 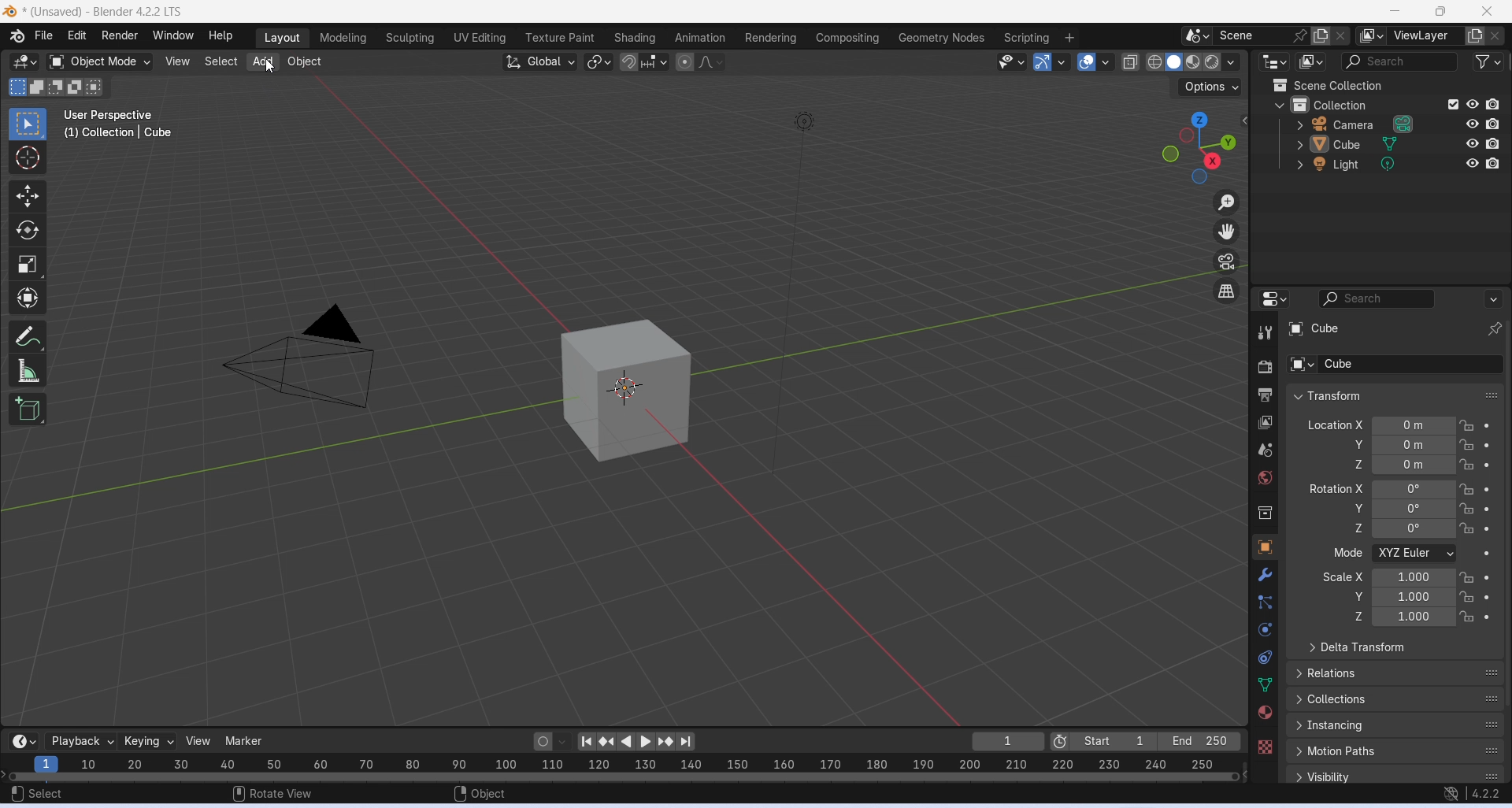 I want to click on new scene, so click(x=1321, y=36).